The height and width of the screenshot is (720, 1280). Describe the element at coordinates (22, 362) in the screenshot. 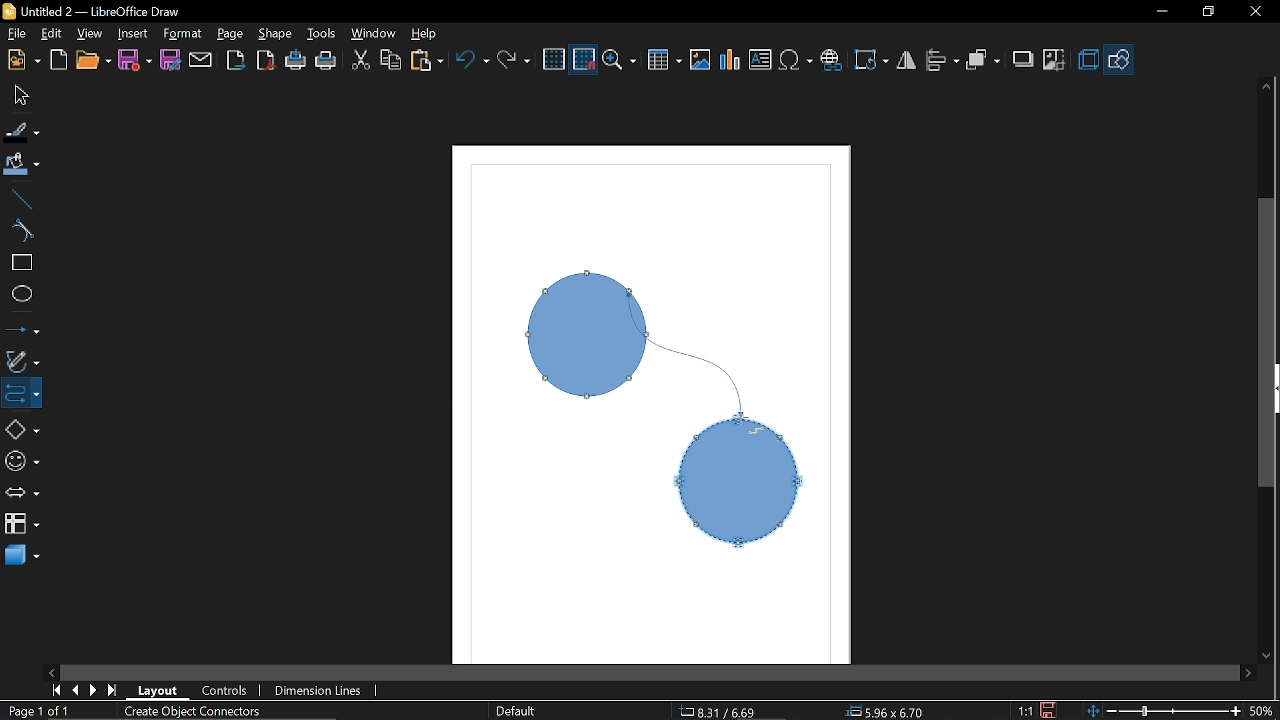

I see `Curves and polygons` at that location.